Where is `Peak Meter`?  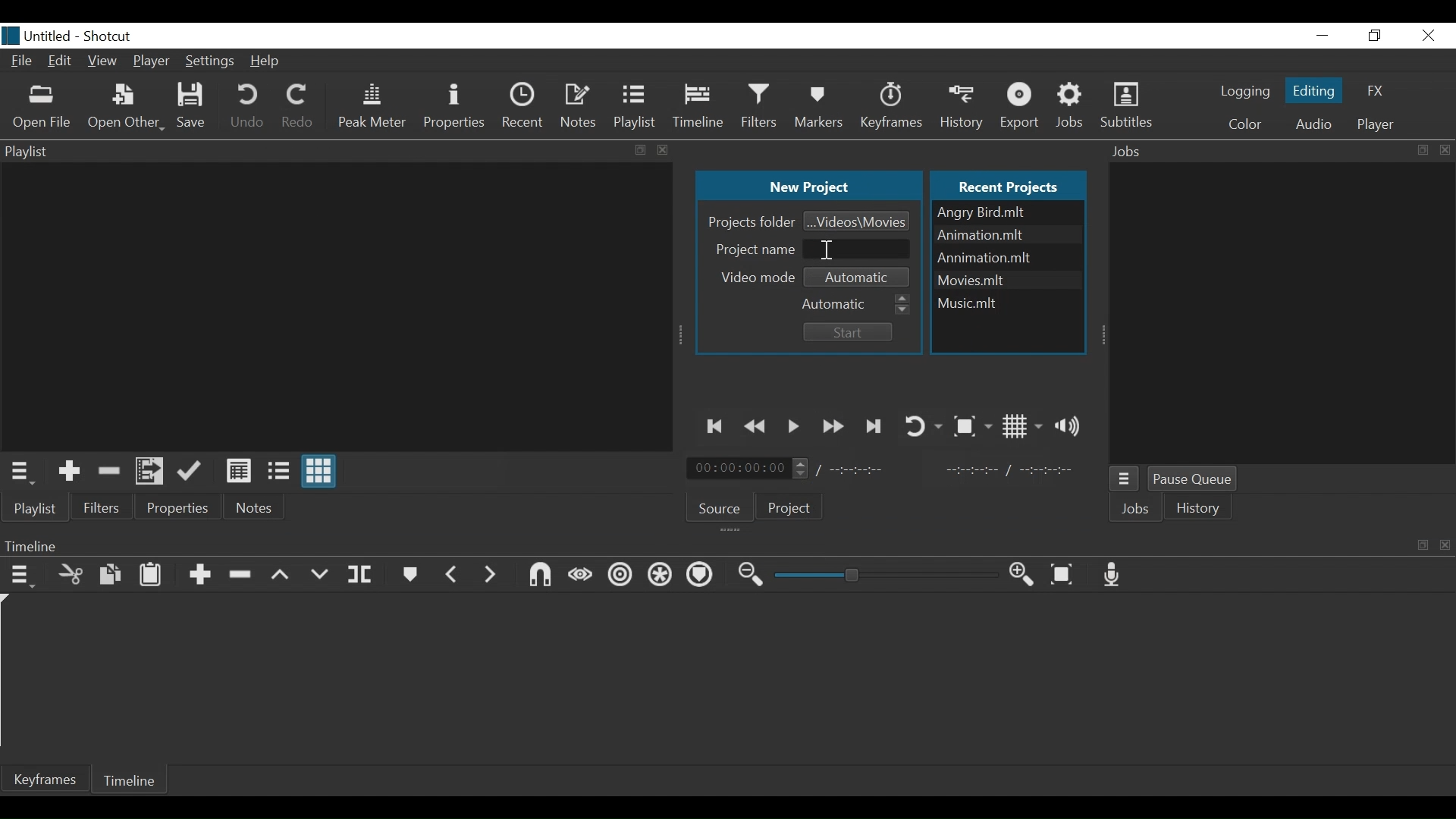
Peak Meter is located at coordinates (372, 106).